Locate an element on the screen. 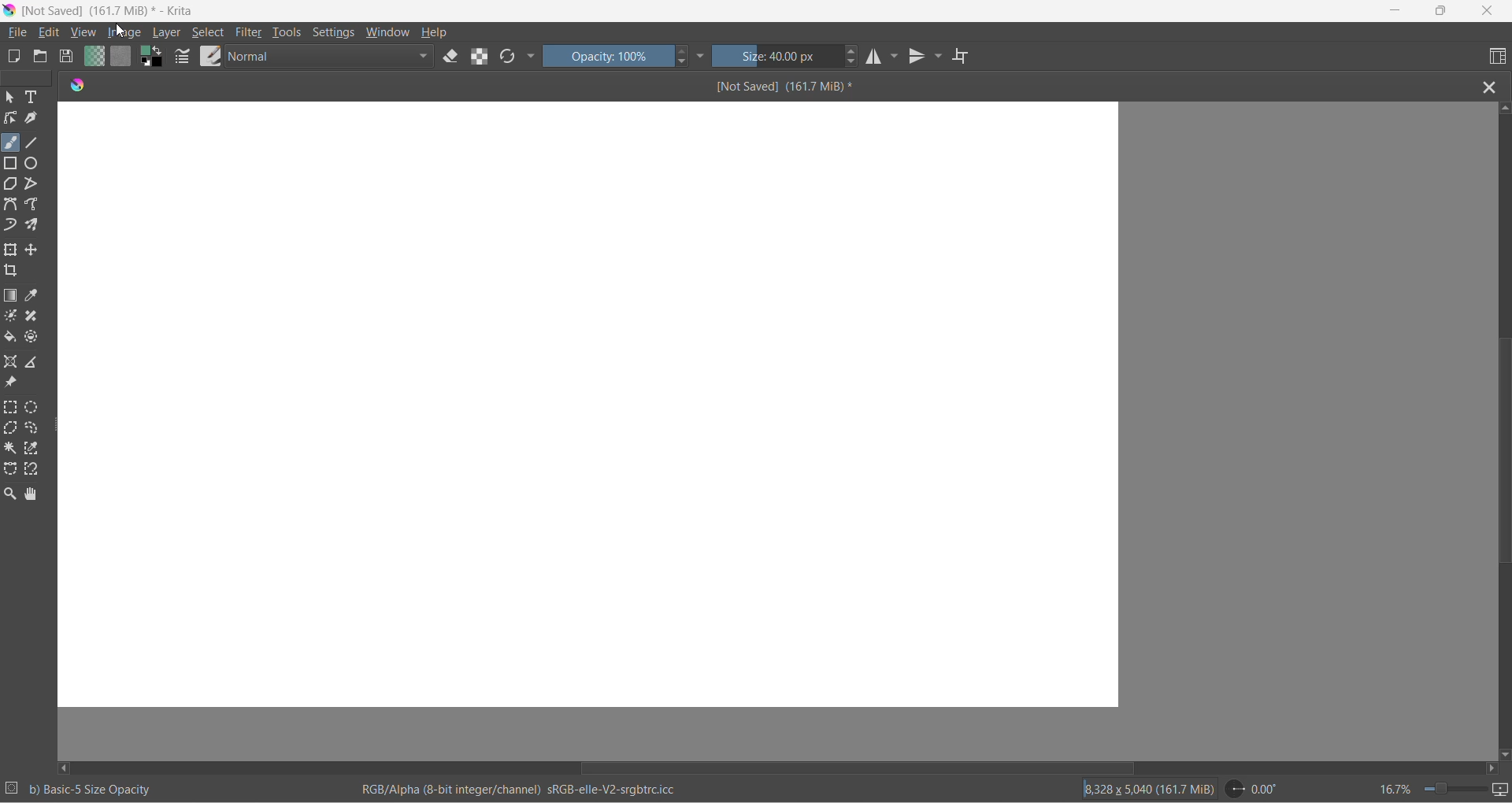 The image size is (1512, 803). measure the distance between two points is located at coordinates (36, 363).